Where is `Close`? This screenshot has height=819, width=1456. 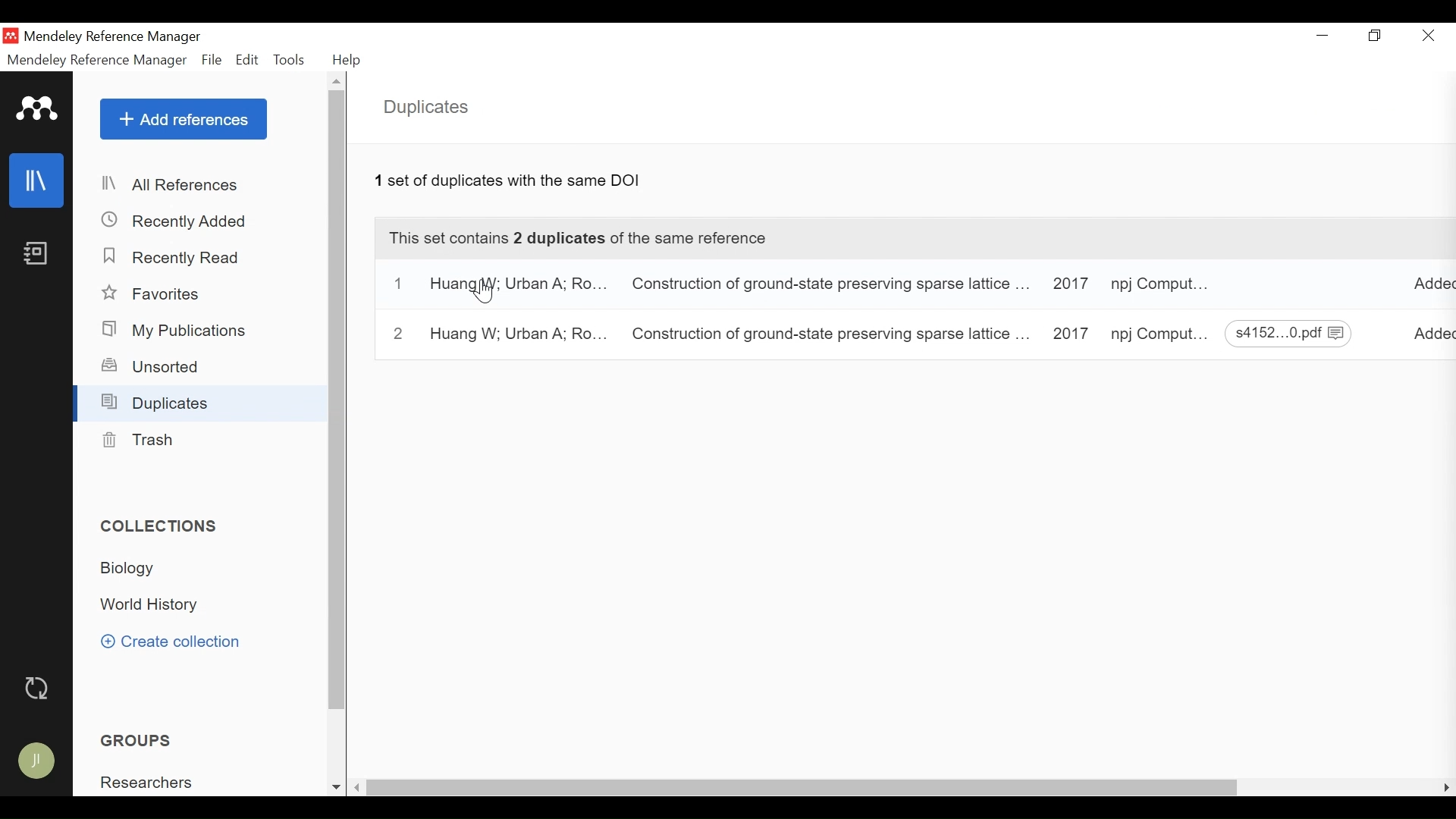 Close is located at coordinates (1429, 36).